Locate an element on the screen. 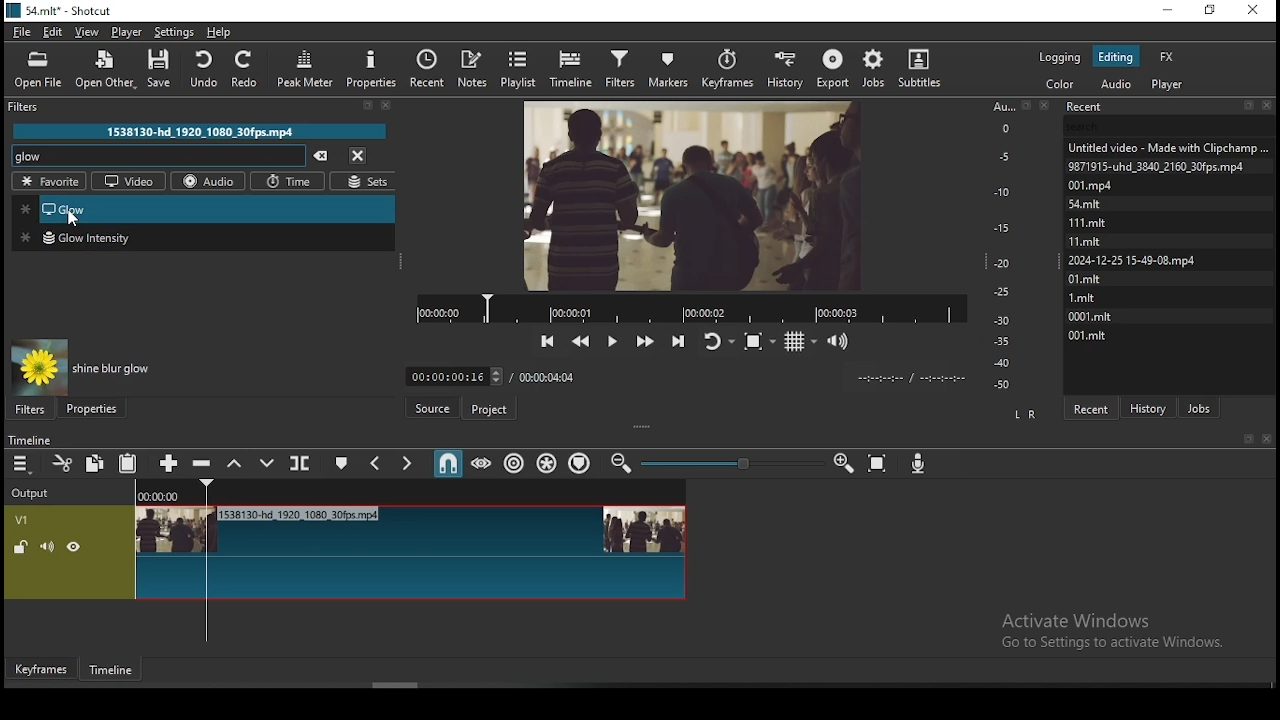 The image size is (1280, 720). export is located at coordinates (832, 69).